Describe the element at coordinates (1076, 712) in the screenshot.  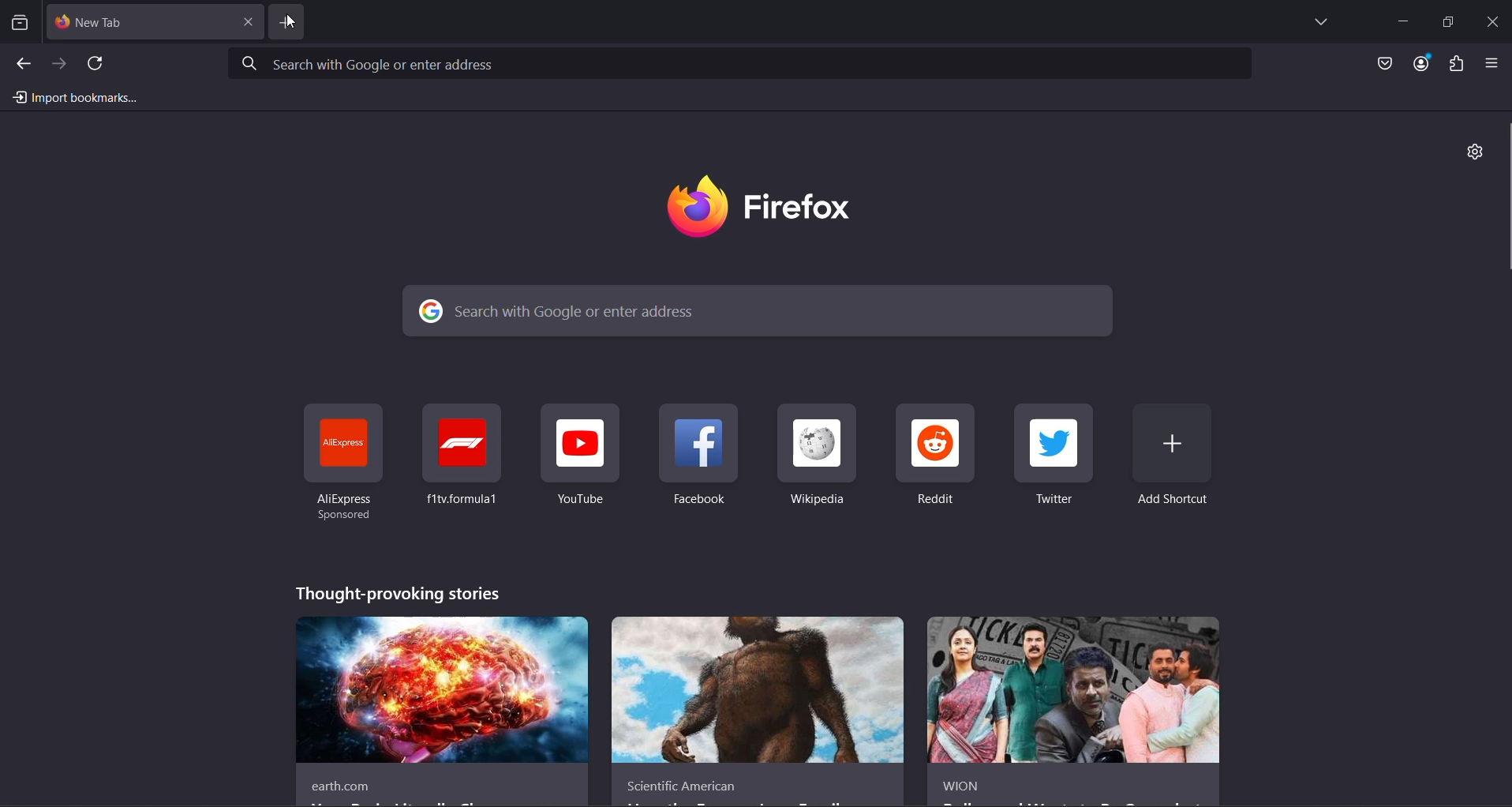
I see `story` at that location.